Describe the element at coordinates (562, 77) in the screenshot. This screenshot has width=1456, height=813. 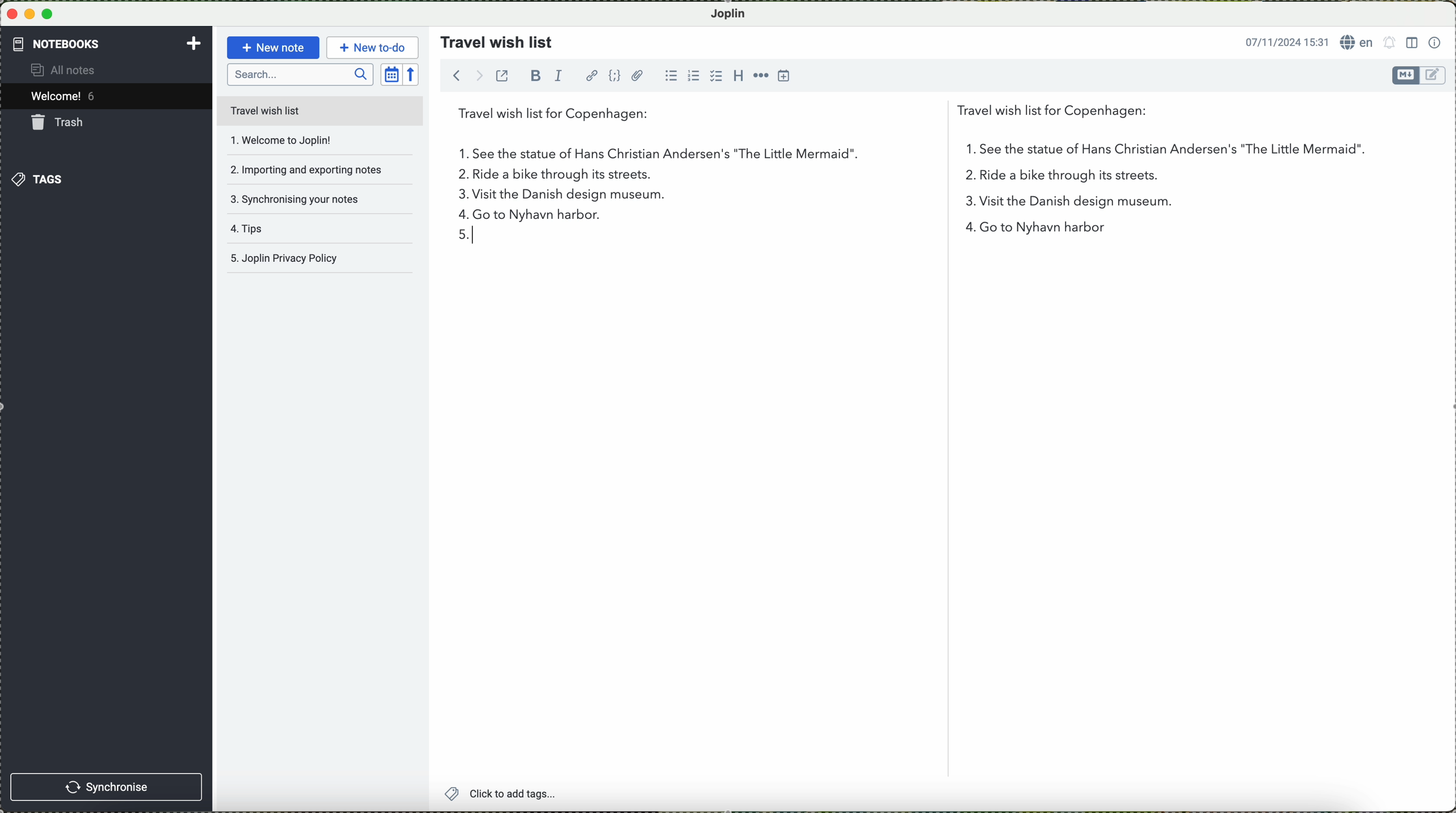
I see `italic` at that location.